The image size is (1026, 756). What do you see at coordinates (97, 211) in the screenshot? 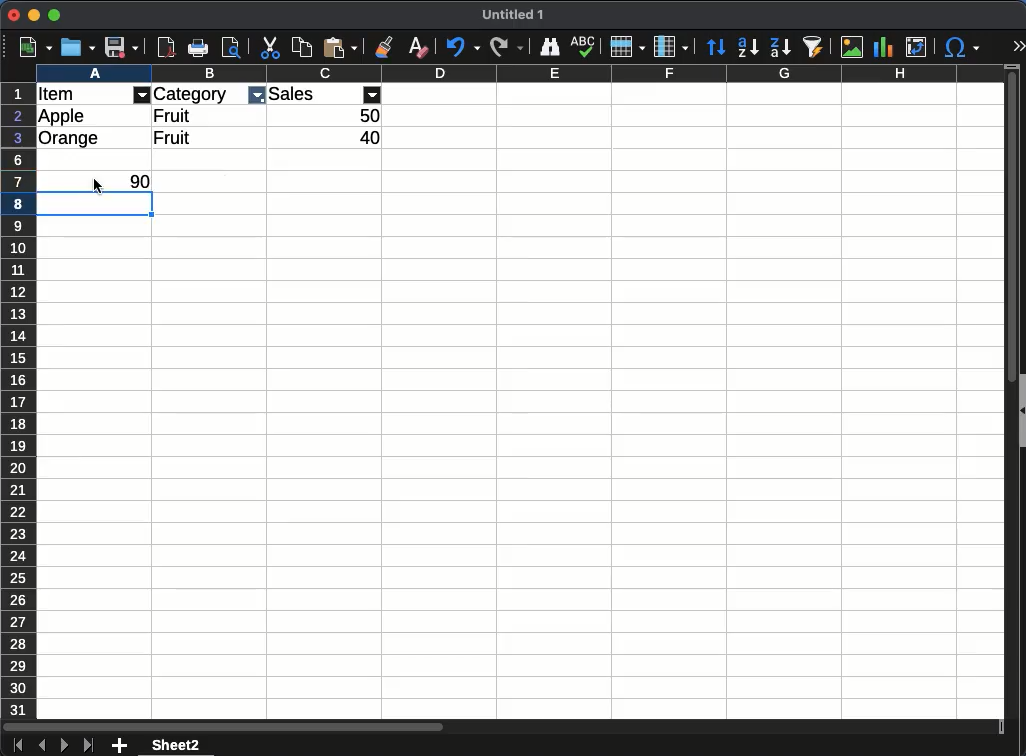
I see `cell selected` at bounding box center [97, 211].